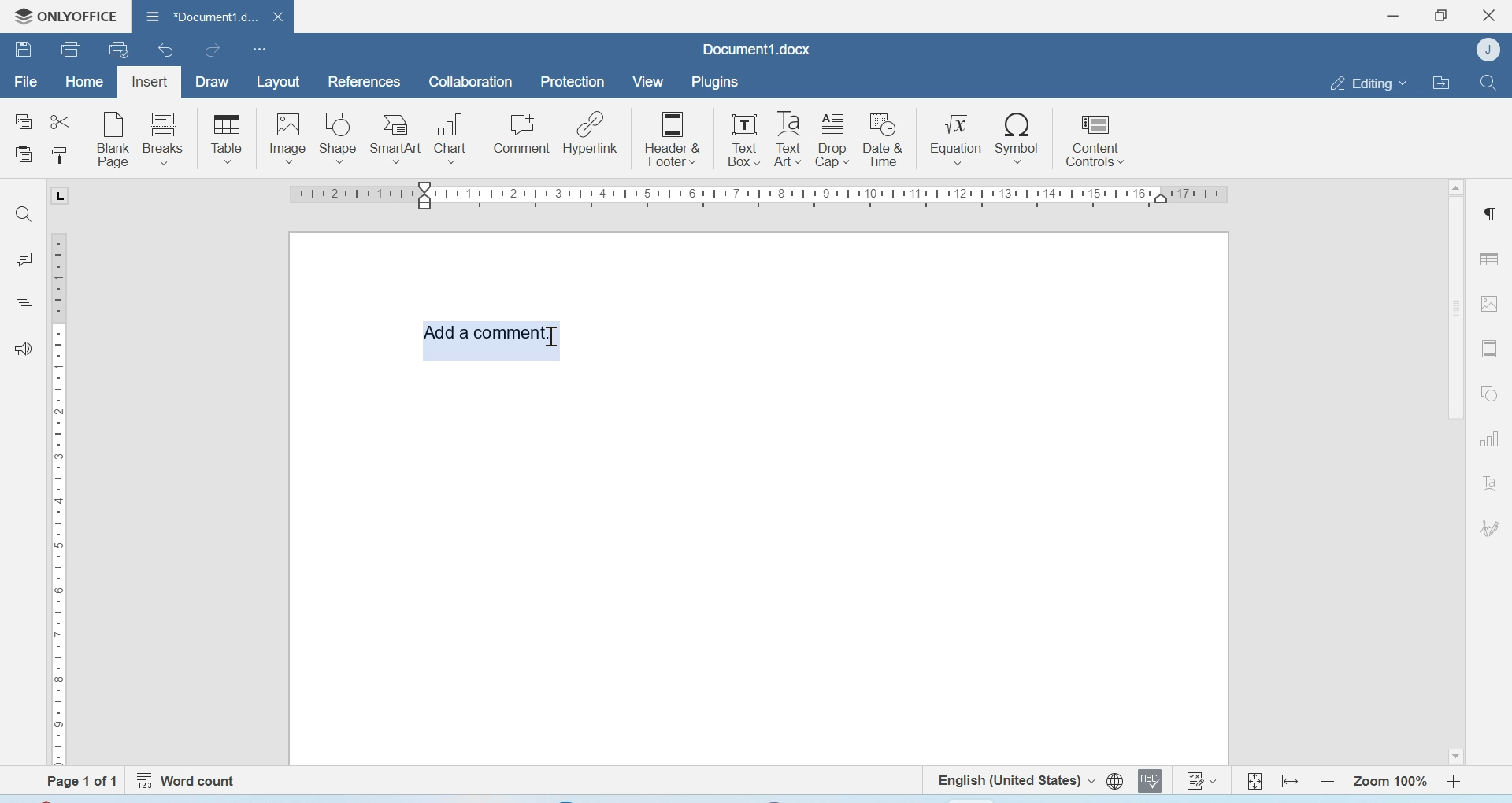 This screenshot has width=1512, height=803. What do you see at coordinates (1388, 782) in the screenshot?
I see `Zoom` at bounding box center [1388, 782].